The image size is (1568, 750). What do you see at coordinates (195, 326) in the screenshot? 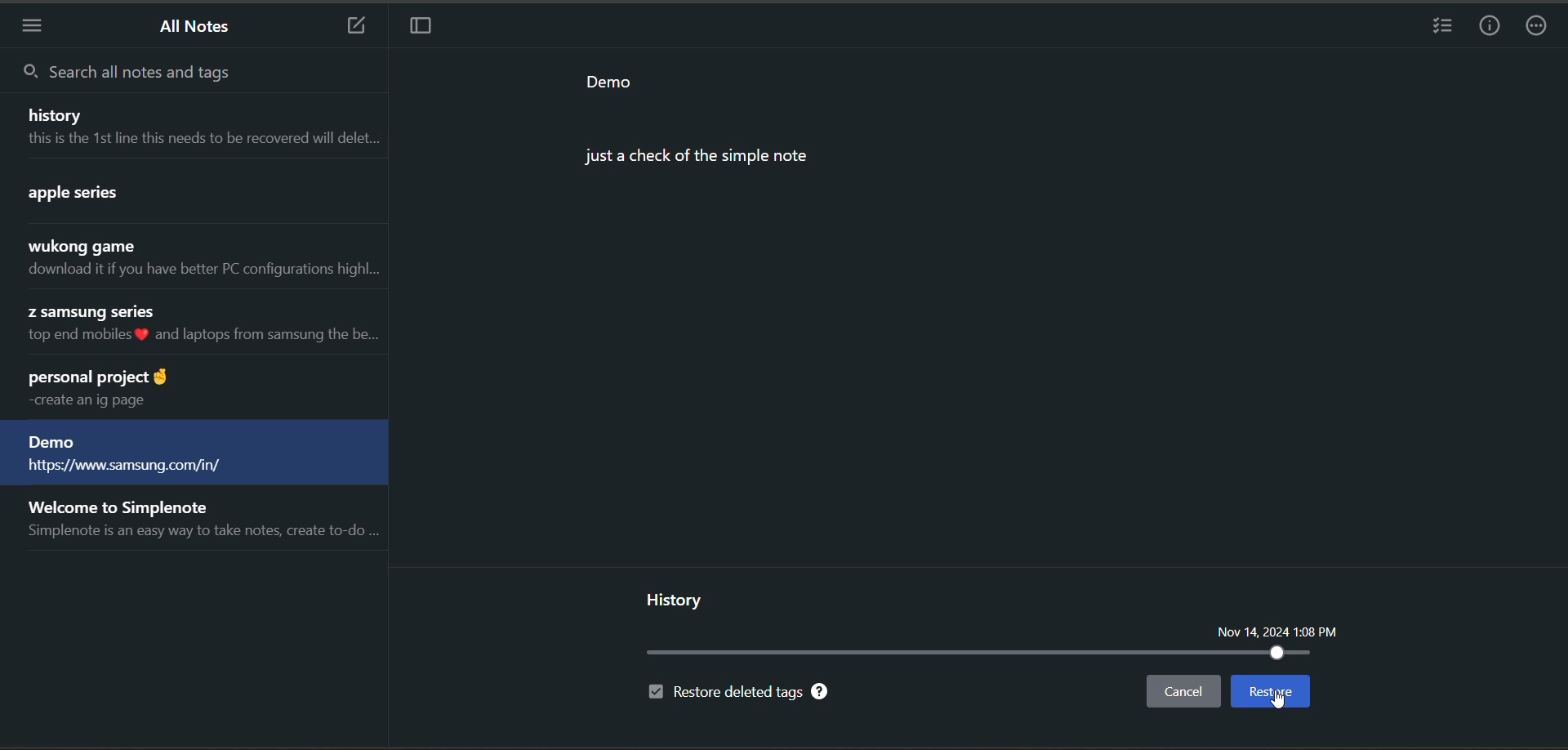
I see `note title and preview` at bounding box center [195, 326].